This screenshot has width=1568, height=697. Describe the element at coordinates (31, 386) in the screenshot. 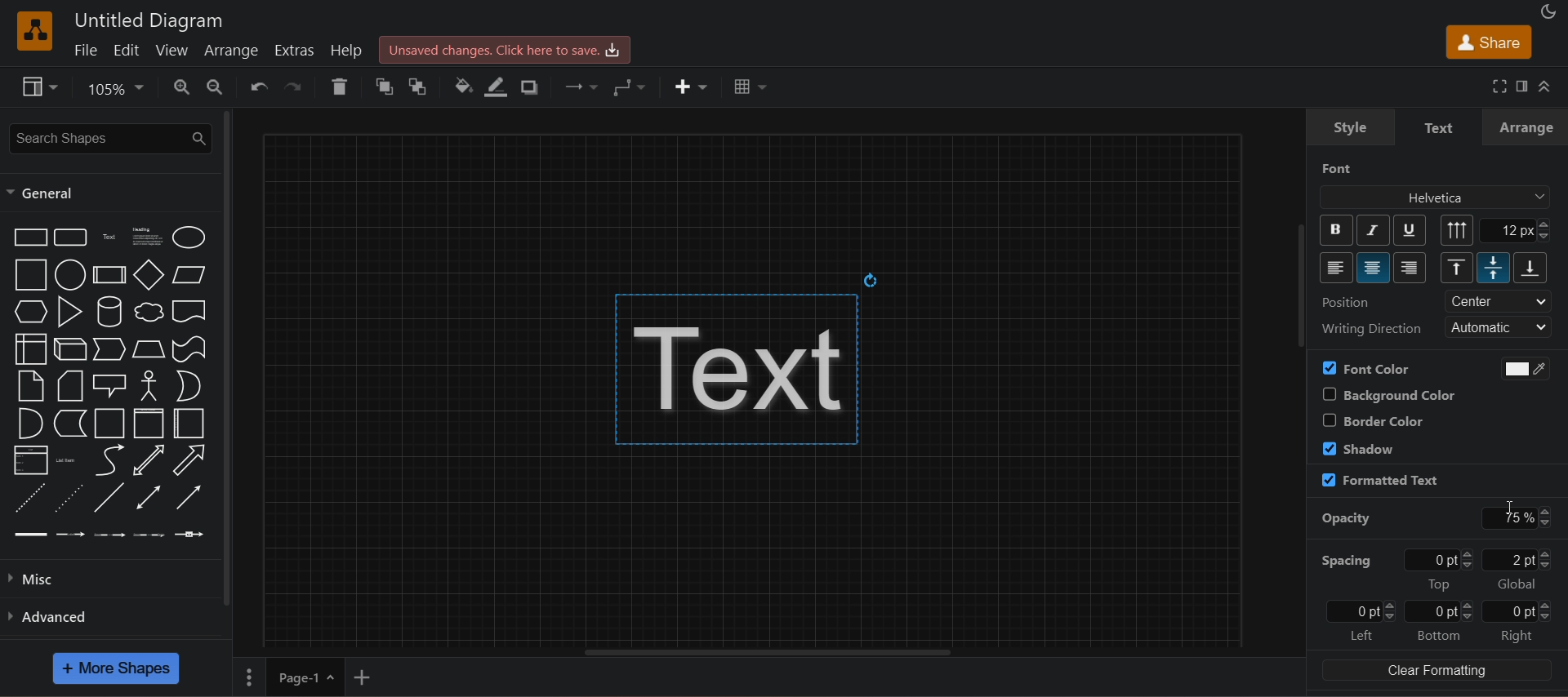

I see `note` at that location.